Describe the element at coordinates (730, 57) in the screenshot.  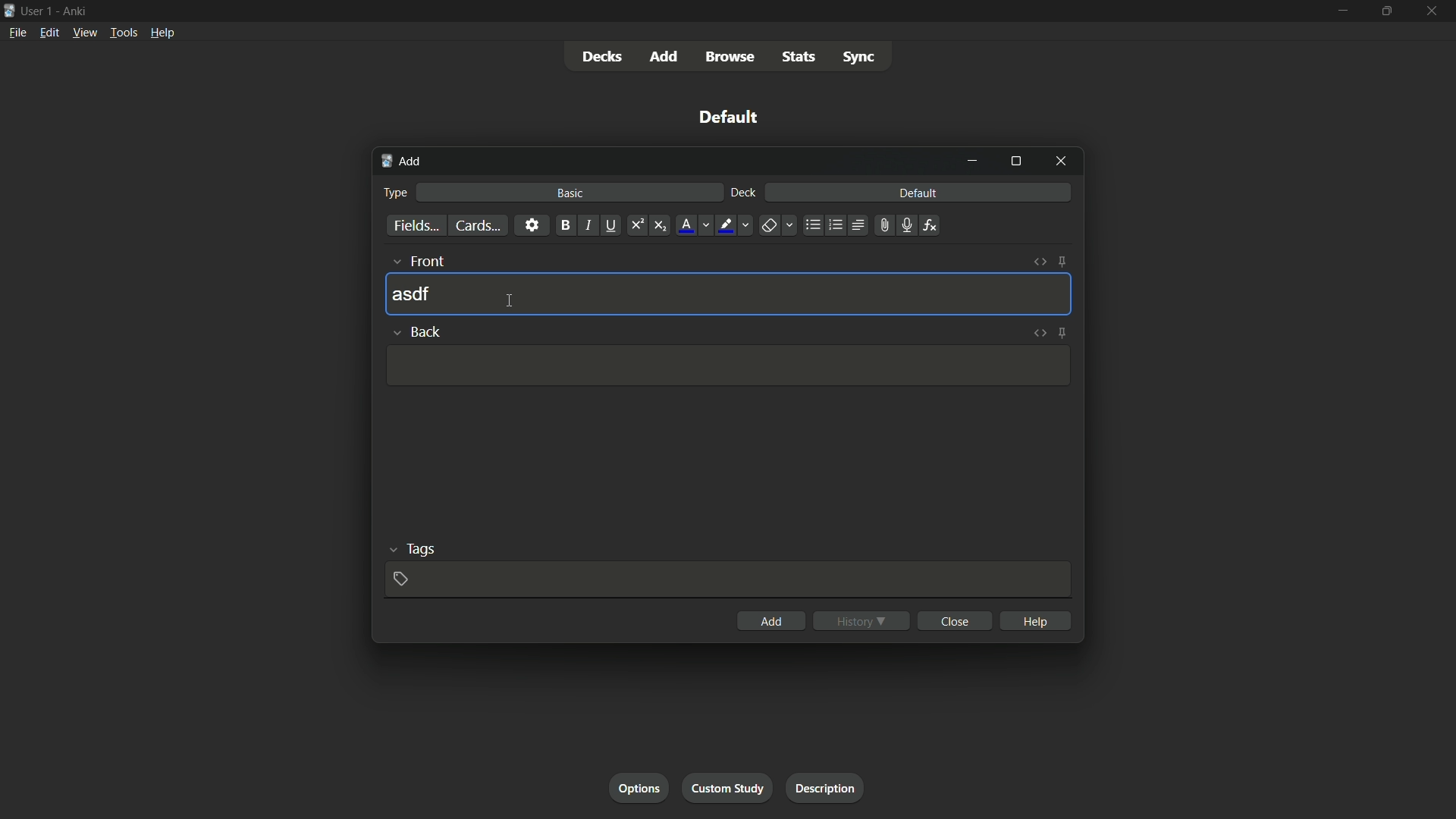
I see `browse` at that location.